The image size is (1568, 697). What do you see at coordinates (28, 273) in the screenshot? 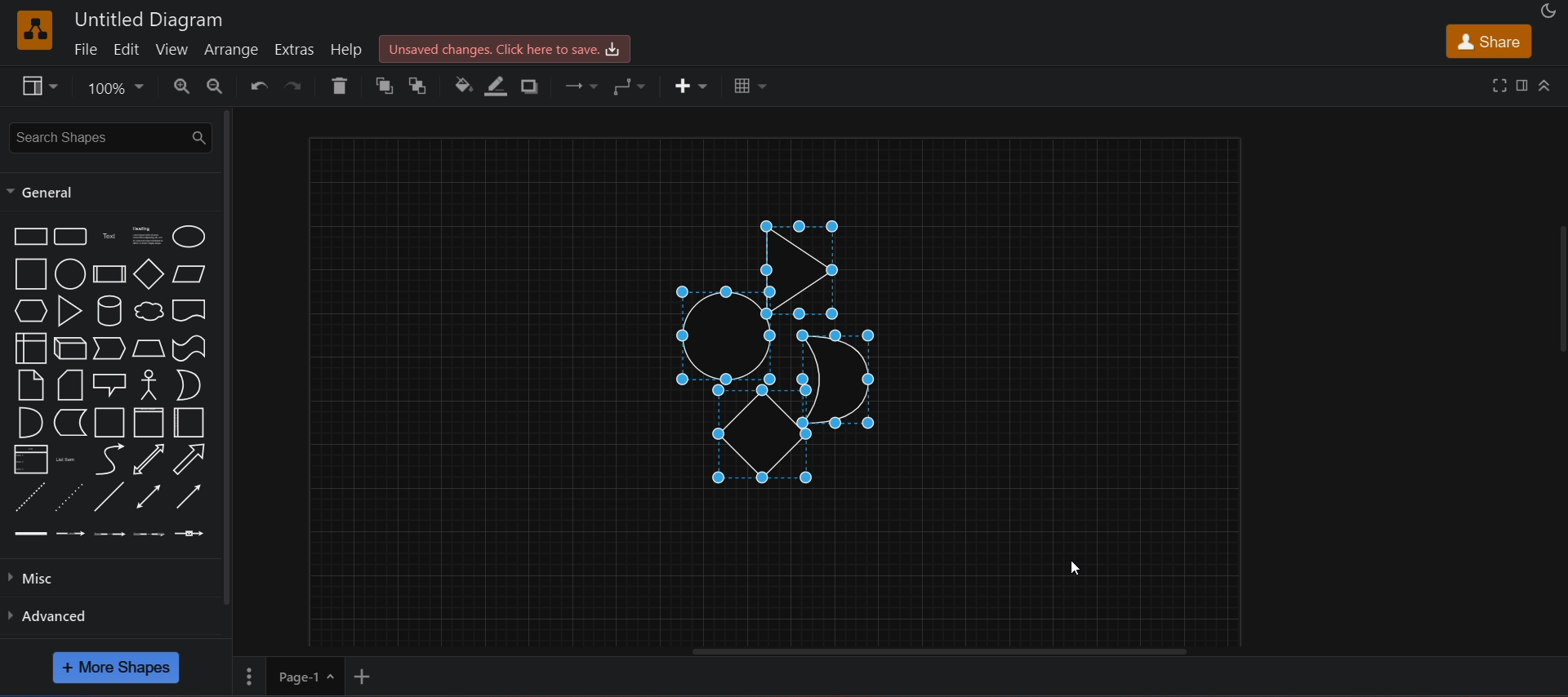
I see `square` at bounding box center [28, 273].